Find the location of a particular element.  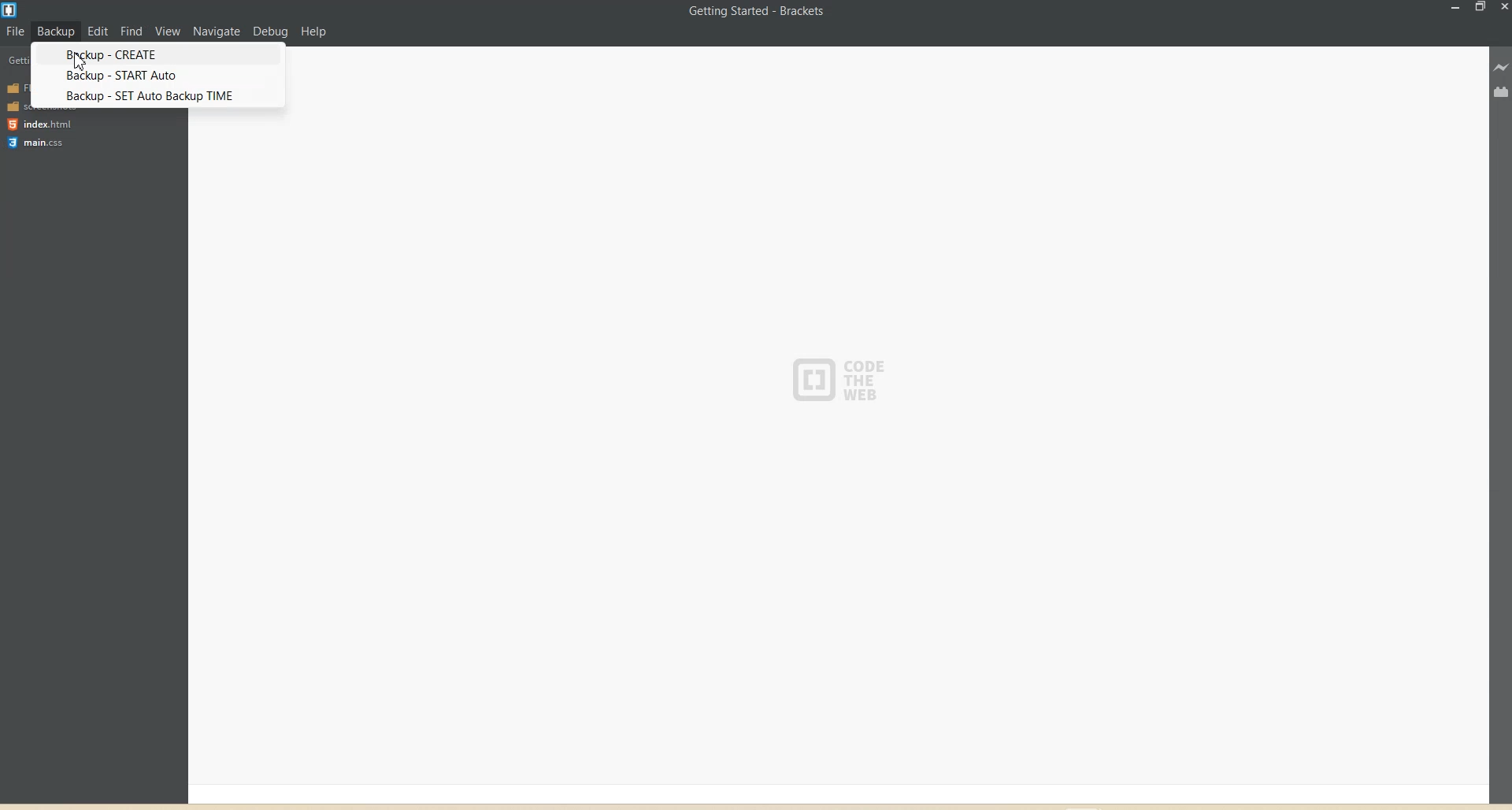

CODE THE WEB is located at coordinates (847, 376).